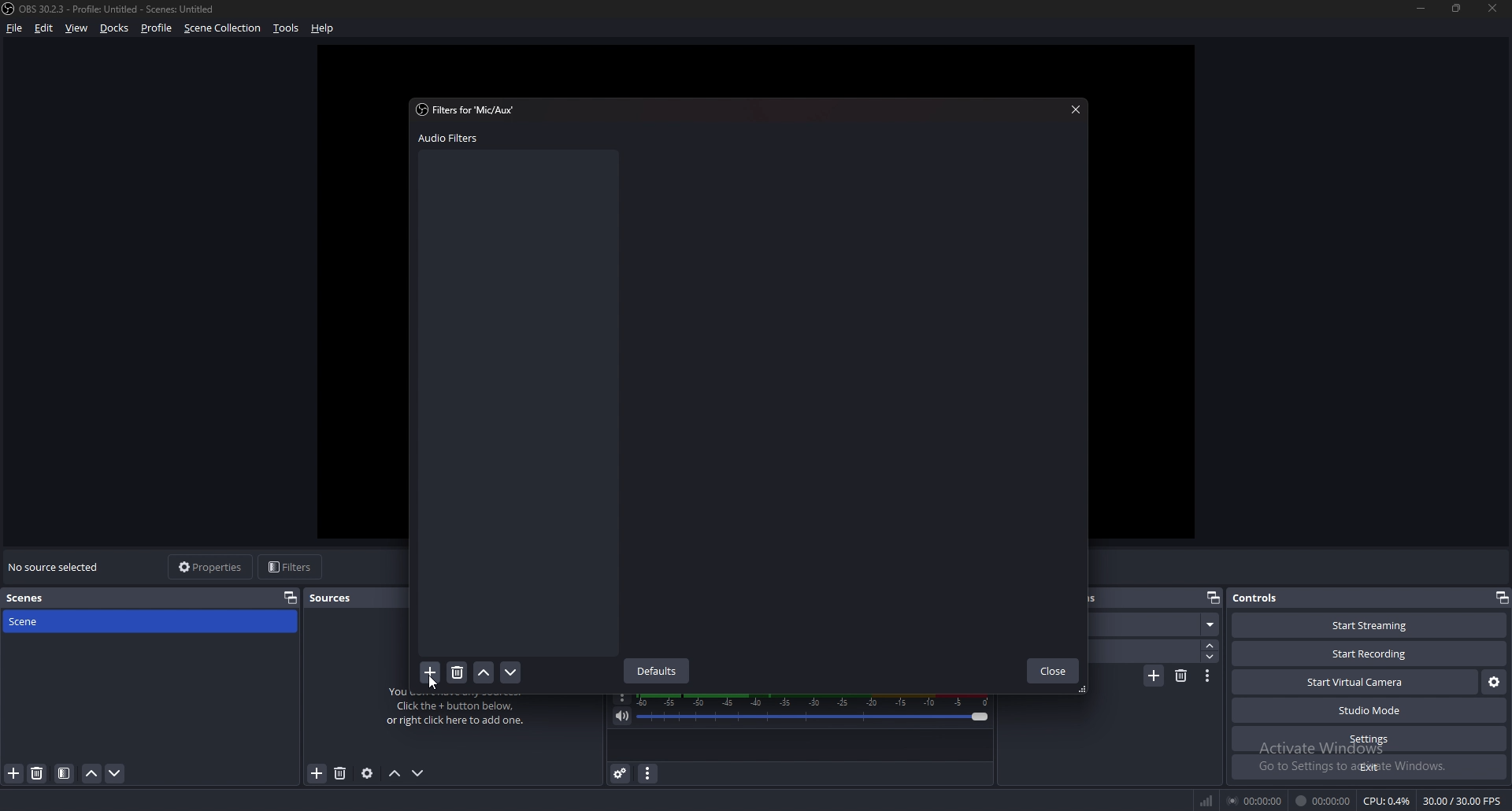  What do you see at coordinates (1369, 626) in the screenshot?
I see `start streaming` at bounding box center [1369, 626].